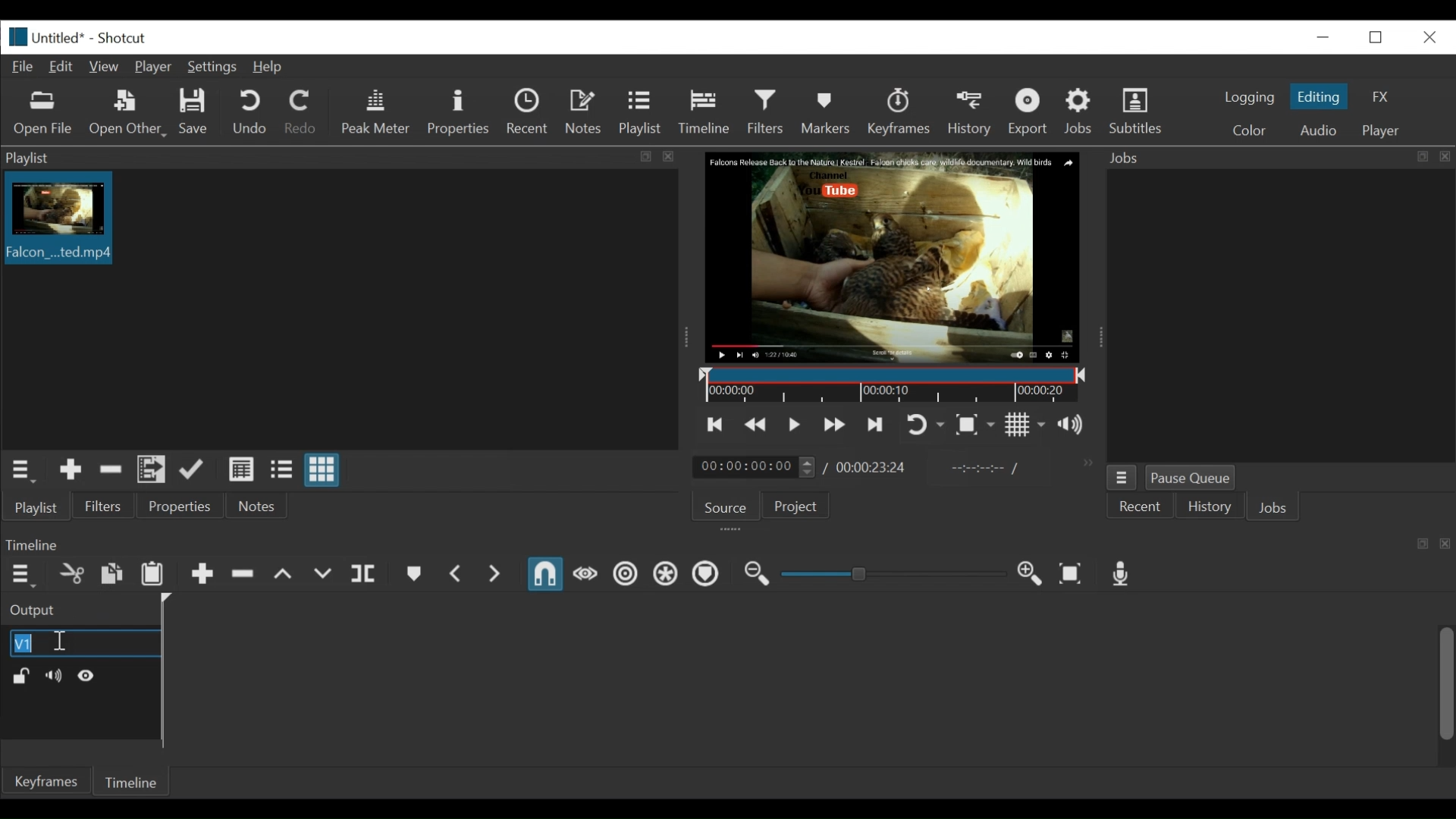 The height and width of the screenshot is (819, 1456). What do you see at coordinates (39, 508) in the screenshot?
I see `Playlist` at bounding box center [39, 508].